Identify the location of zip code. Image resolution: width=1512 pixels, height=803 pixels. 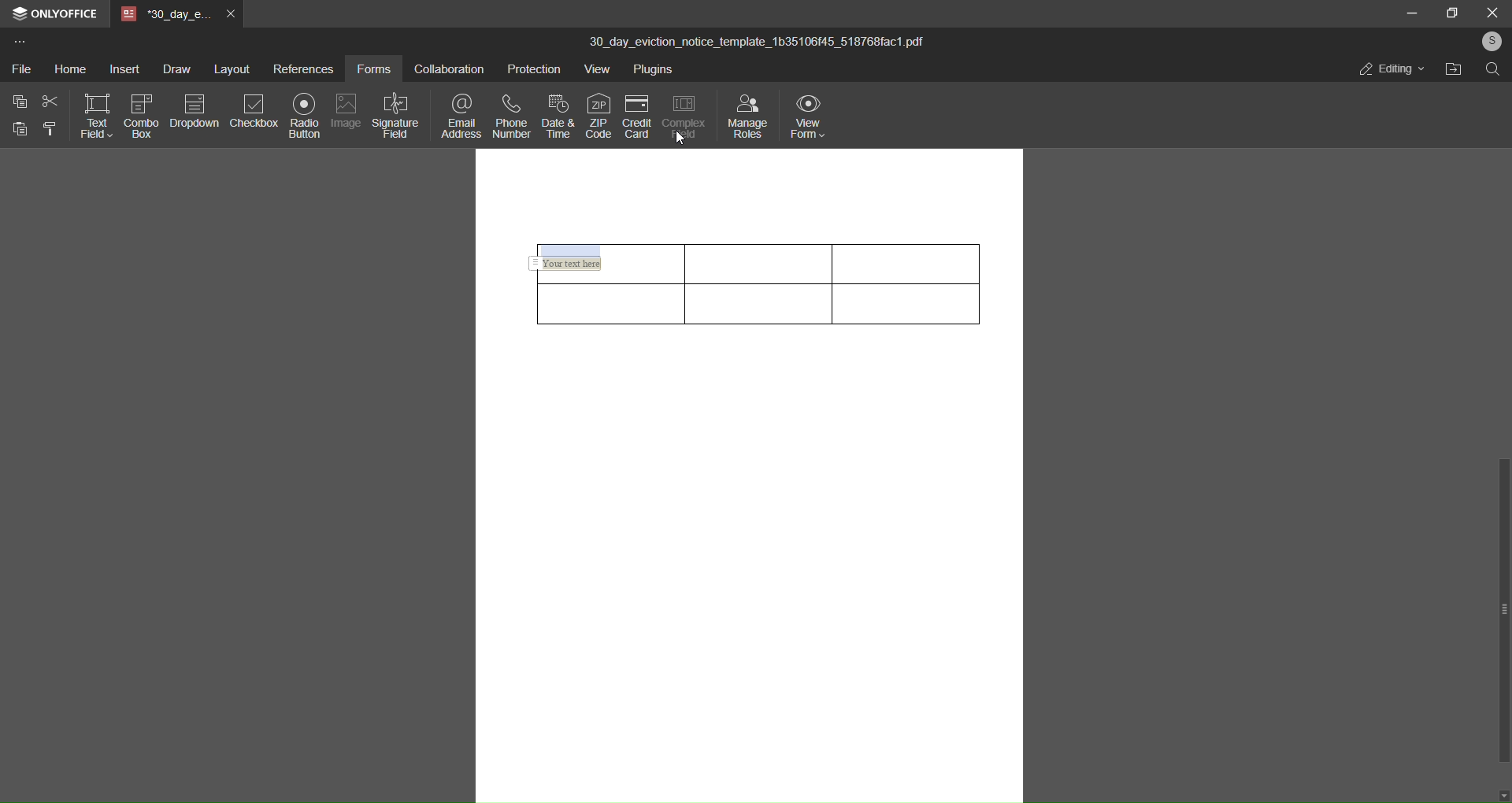
(598, 113).